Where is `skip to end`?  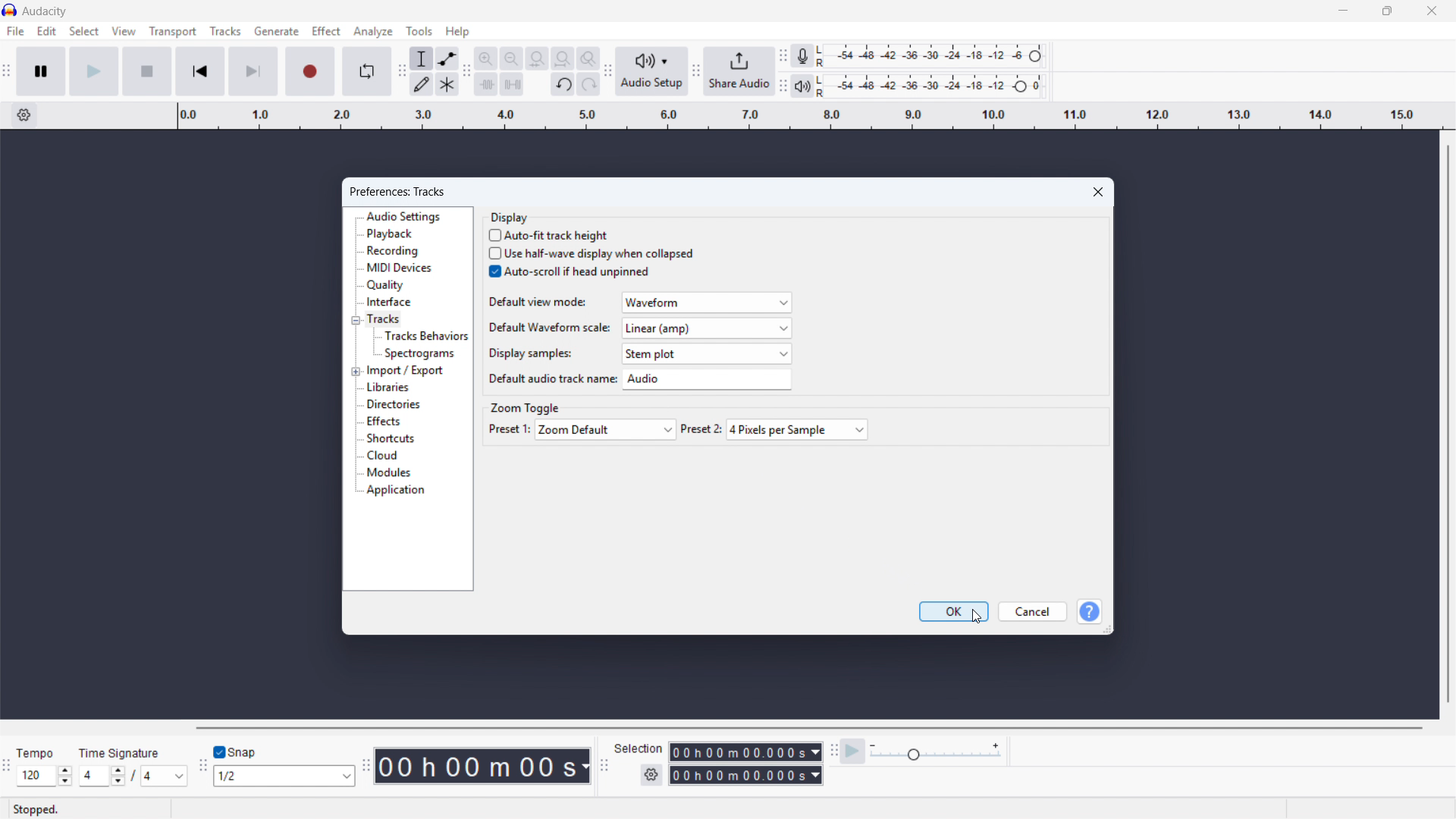 skip to end is located at coordinates (253, 71).